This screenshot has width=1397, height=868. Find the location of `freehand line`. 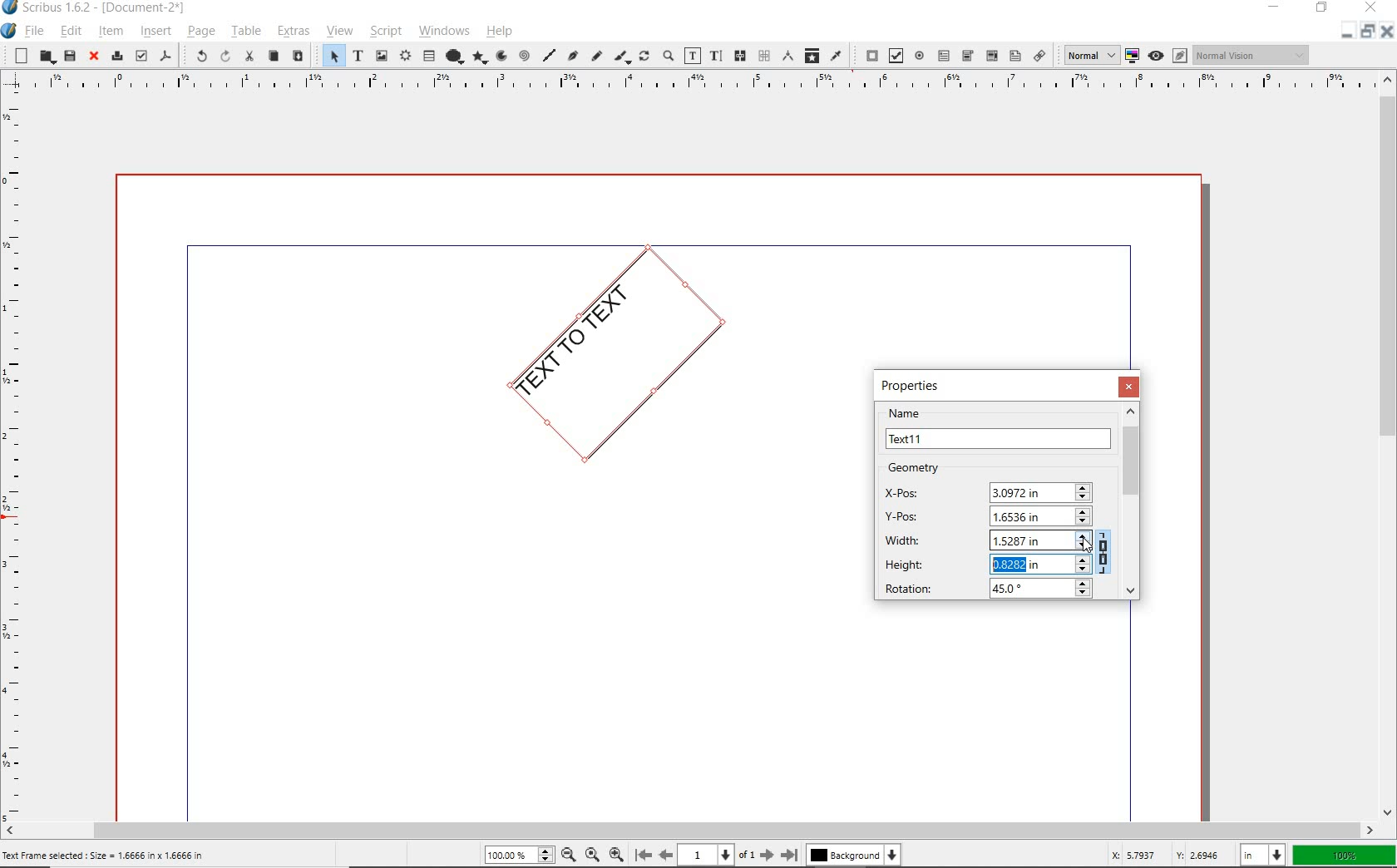

freehand line is located at coordinates (597, 55).